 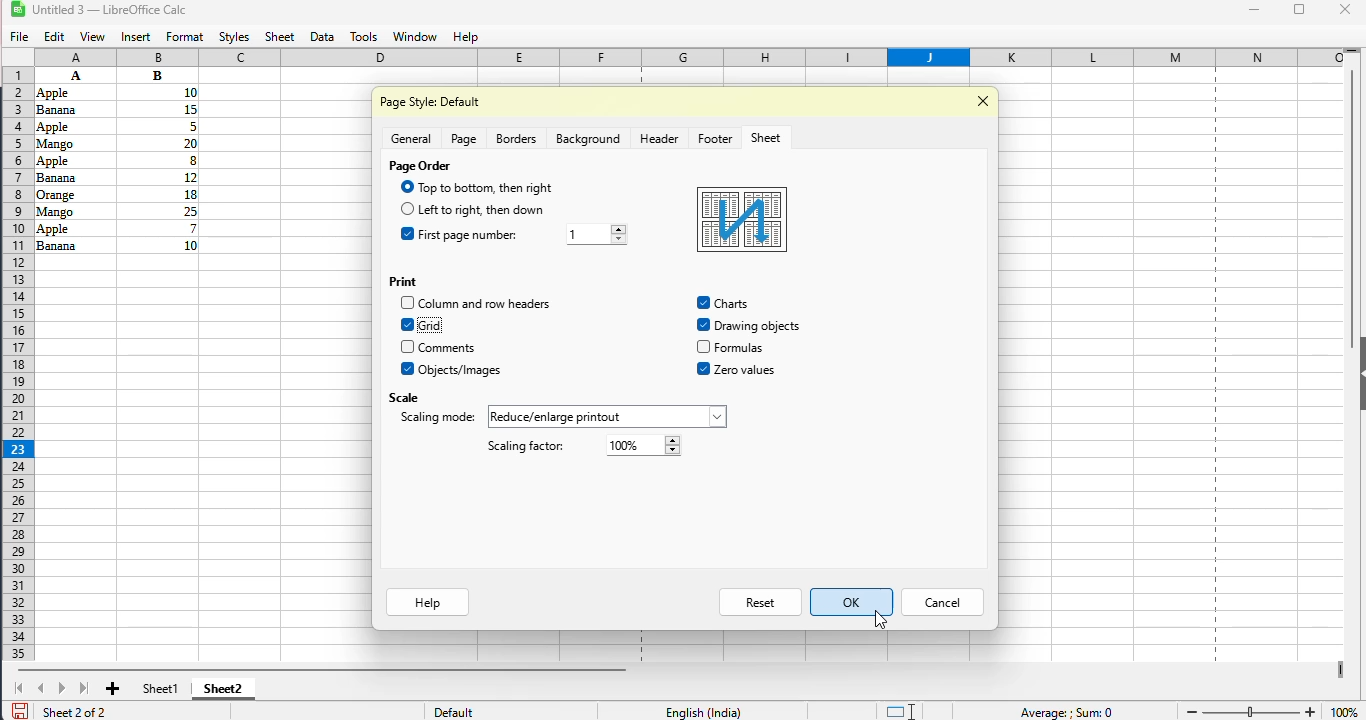 I want to click on Average ; Sum 0, so click(x=1065, y=712).